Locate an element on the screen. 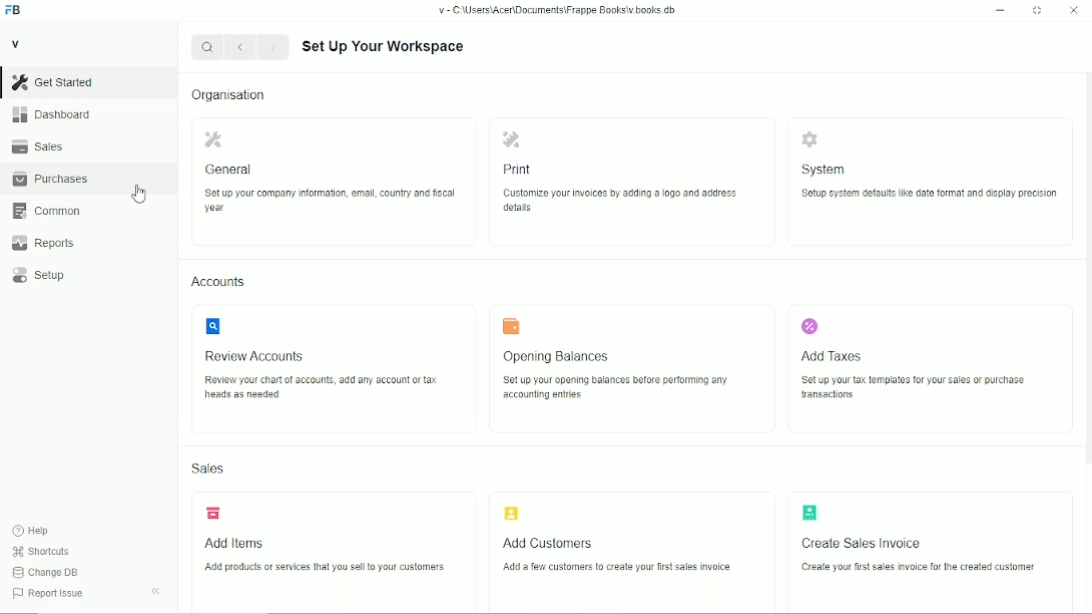 The image size is (1092, 614). get started is located at coordinates (53, 82).